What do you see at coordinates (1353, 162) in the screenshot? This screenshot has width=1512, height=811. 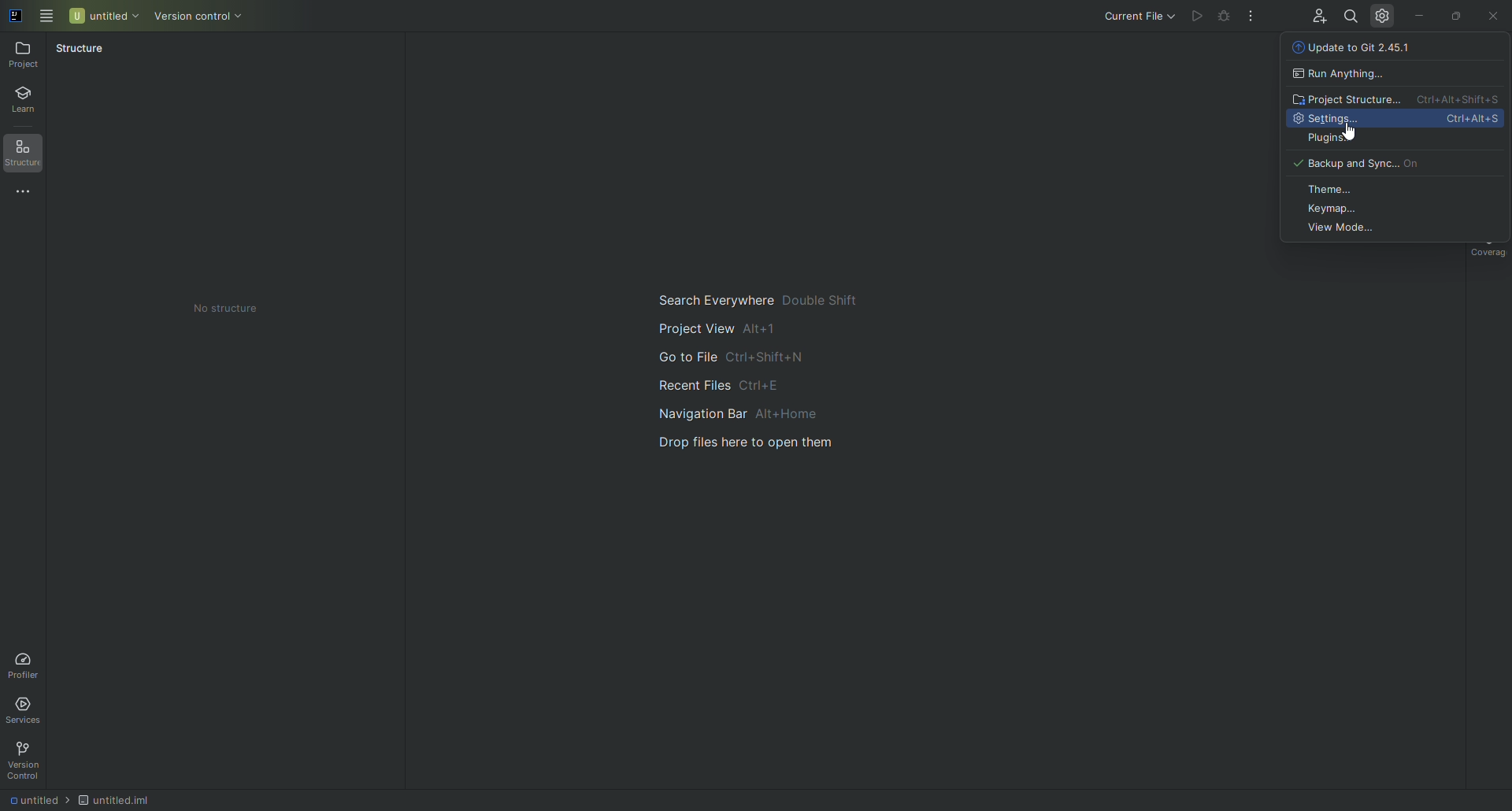 I see `Backup and Sync` at bounding box center [1353, 162].